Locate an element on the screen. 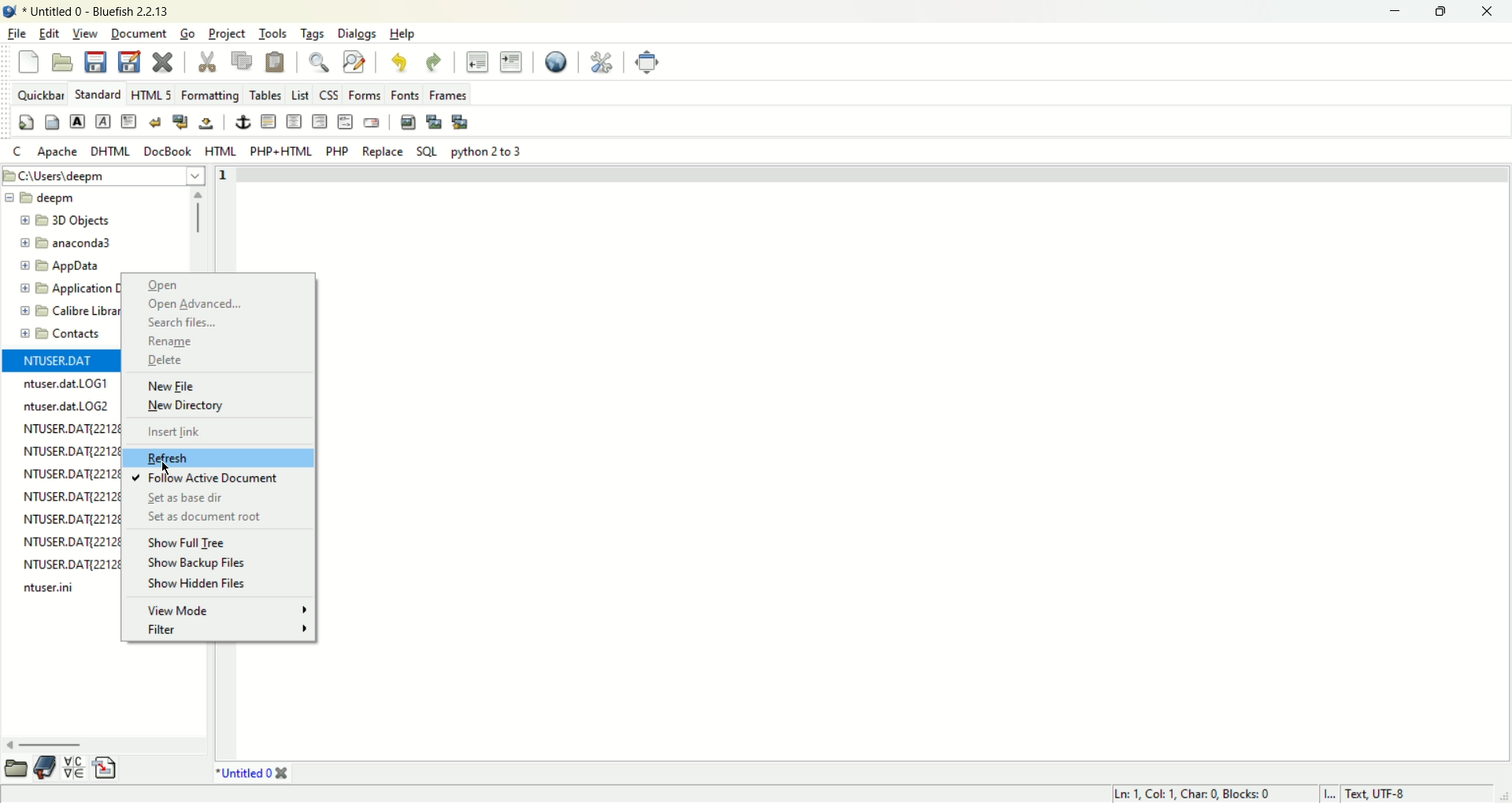  tags is located at coordinates (310, 34).